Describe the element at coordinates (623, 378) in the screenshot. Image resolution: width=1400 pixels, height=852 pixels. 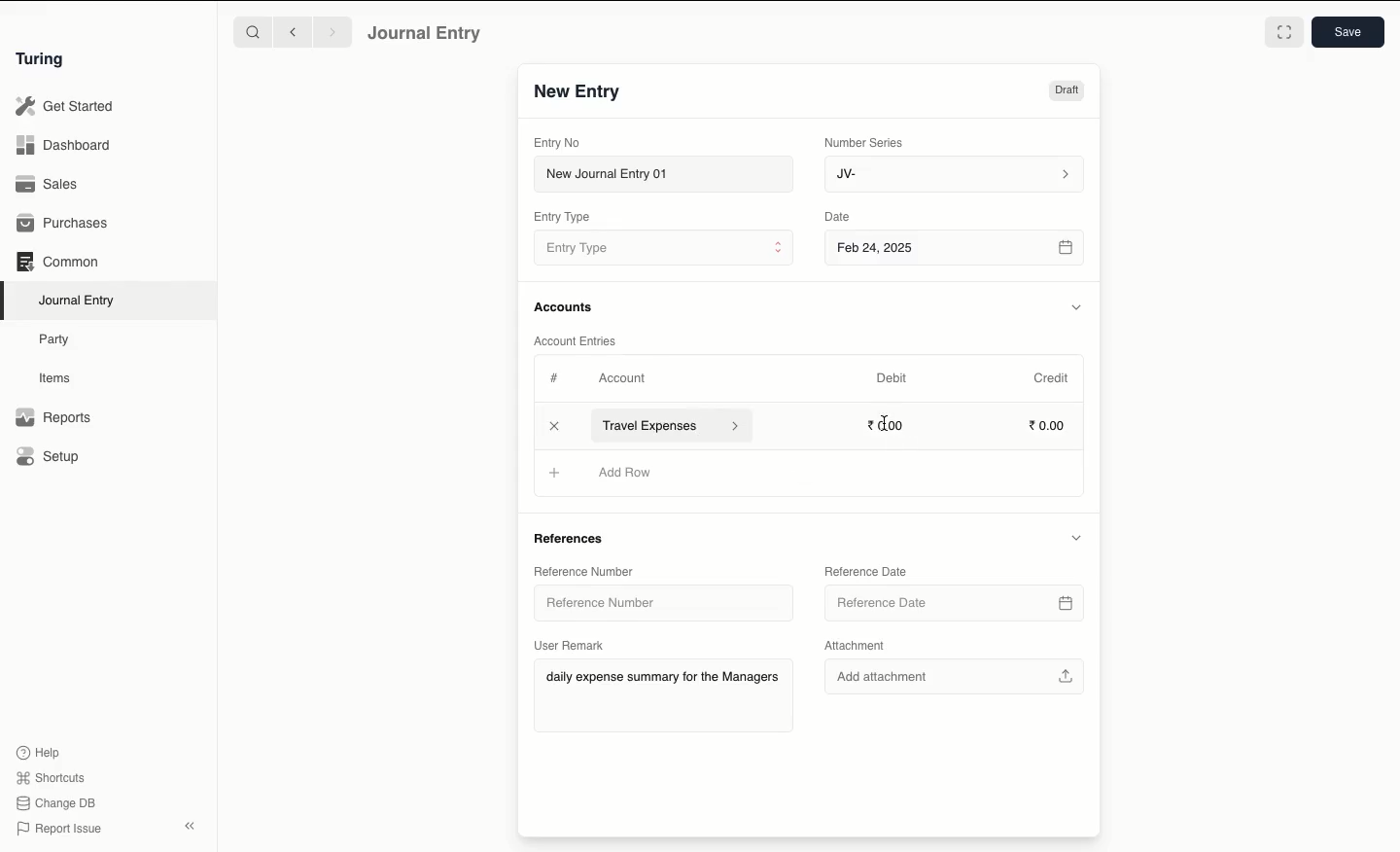
I see `Account` at that location.